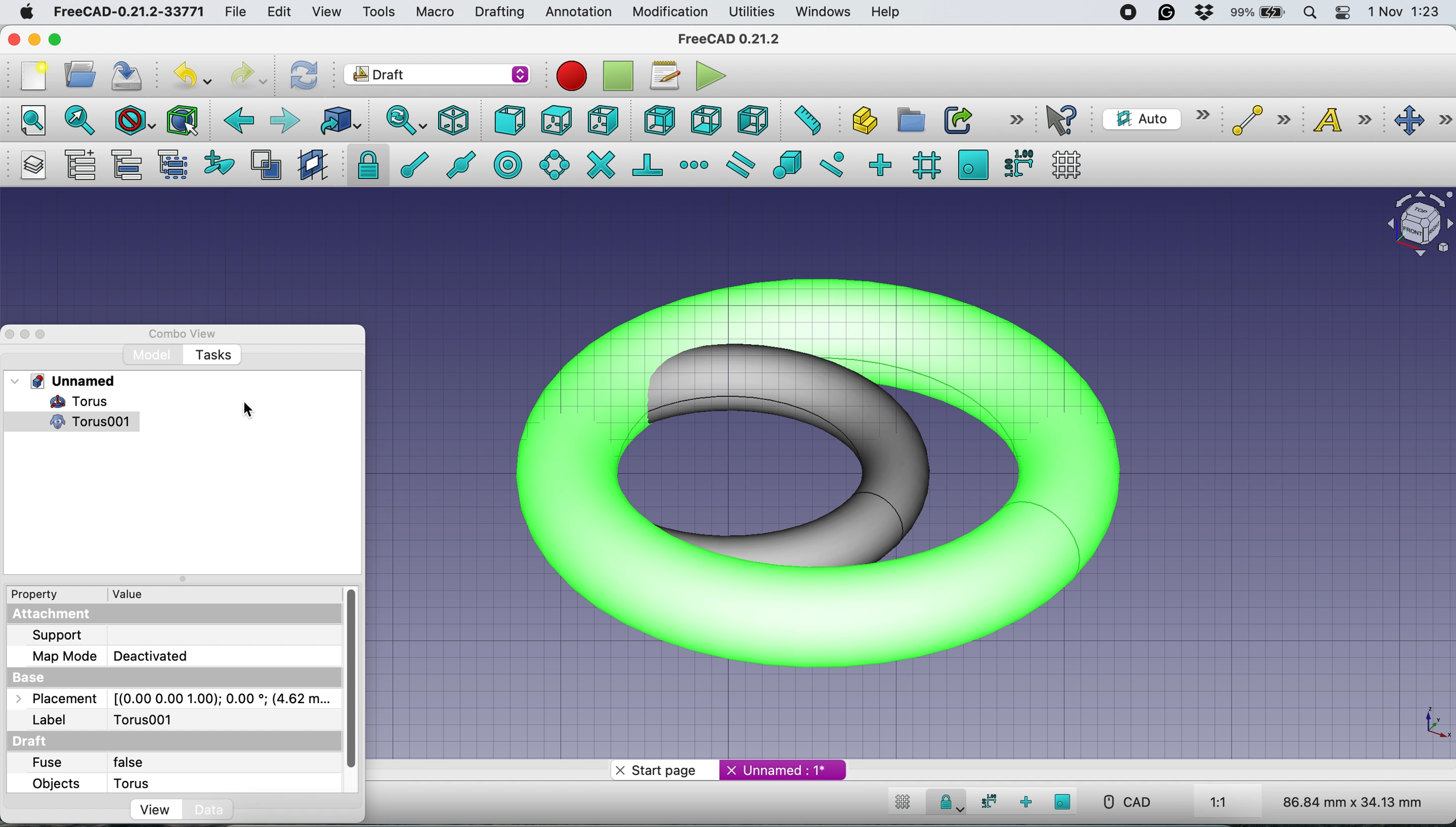  What do you see at coordinates (95, 595) in the screenshot?
I see `Property | Value` at bounding box center [95, 595].